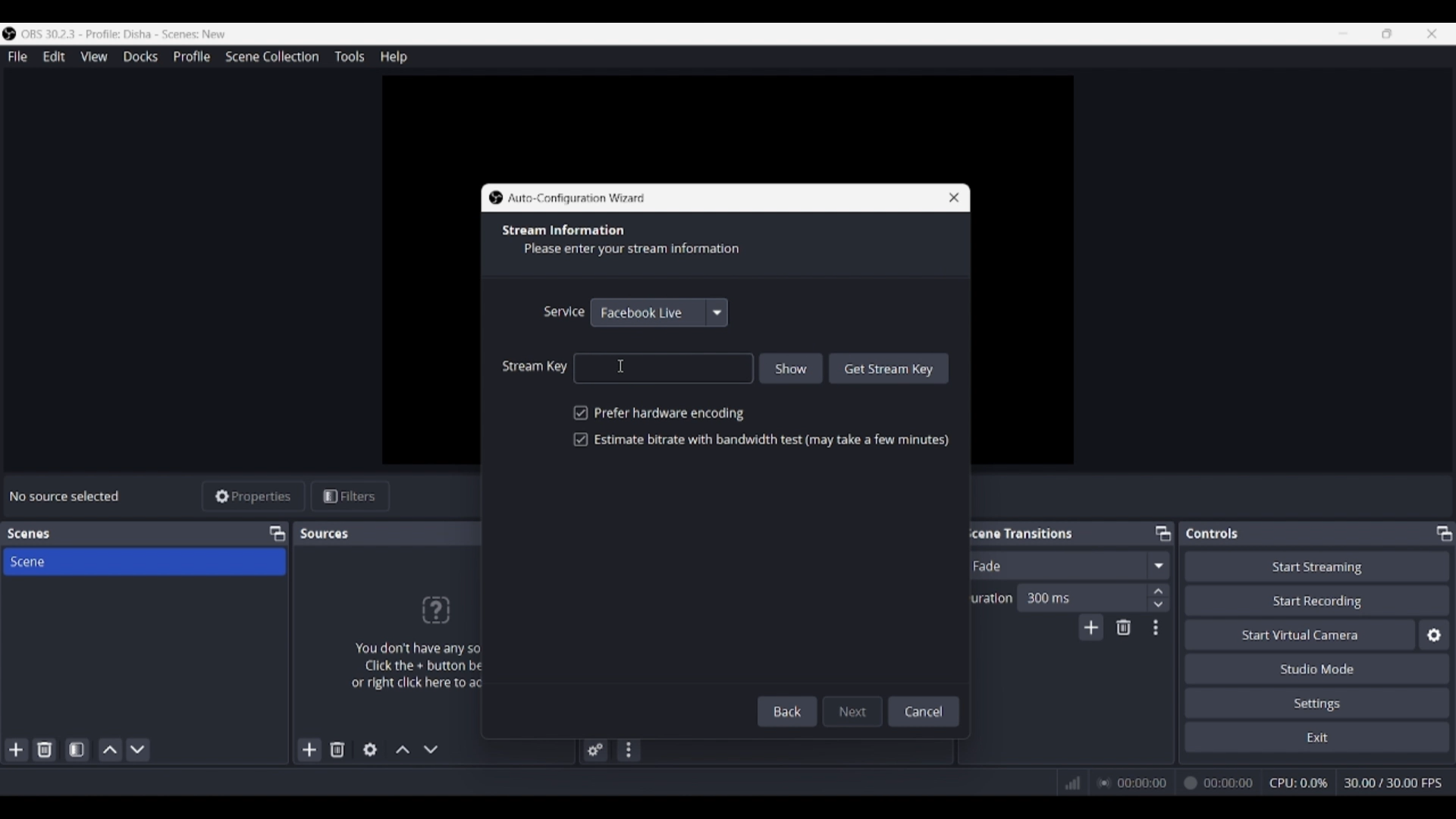 This screenshot has width=1456, height=819. What do you see at coordinates (1317, 736) in the screenshot?
I see `Exit` at bounding box center [1317, 736].